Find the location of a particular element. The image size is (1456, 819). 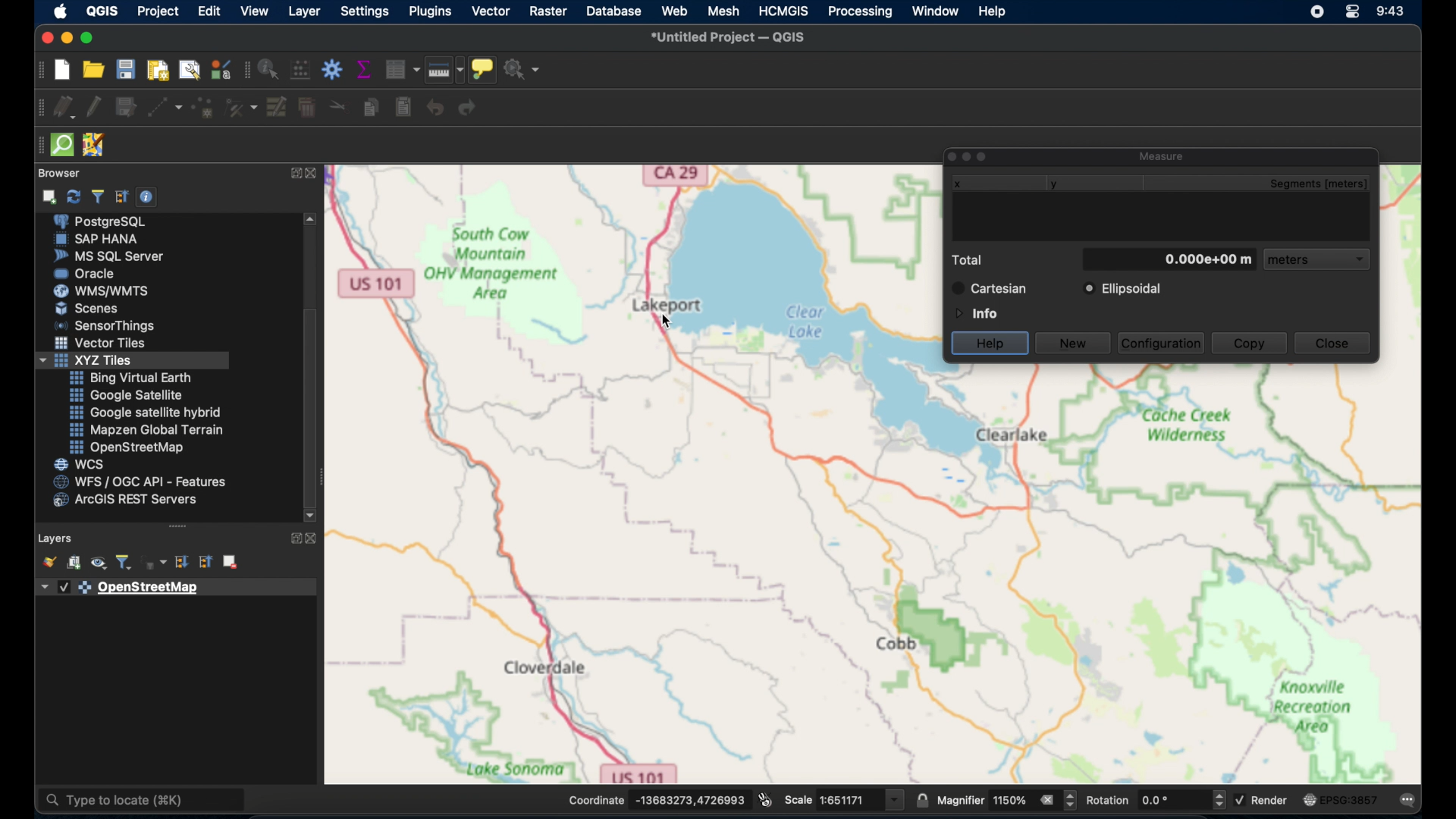

settings is located at coordinates (366, 11).